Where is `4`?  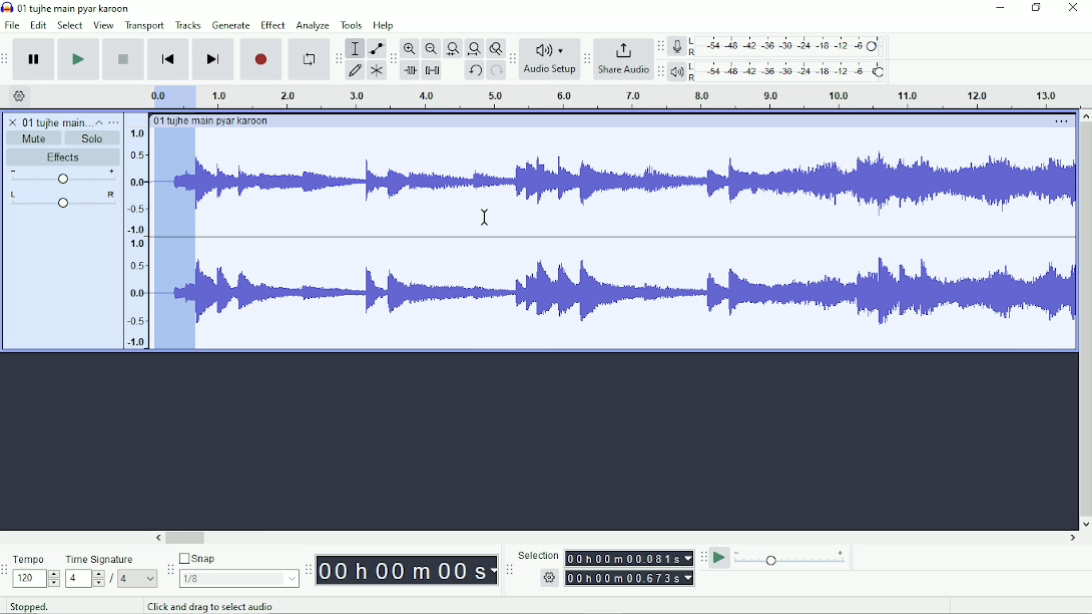 4 is located at coordinates (137, 578).